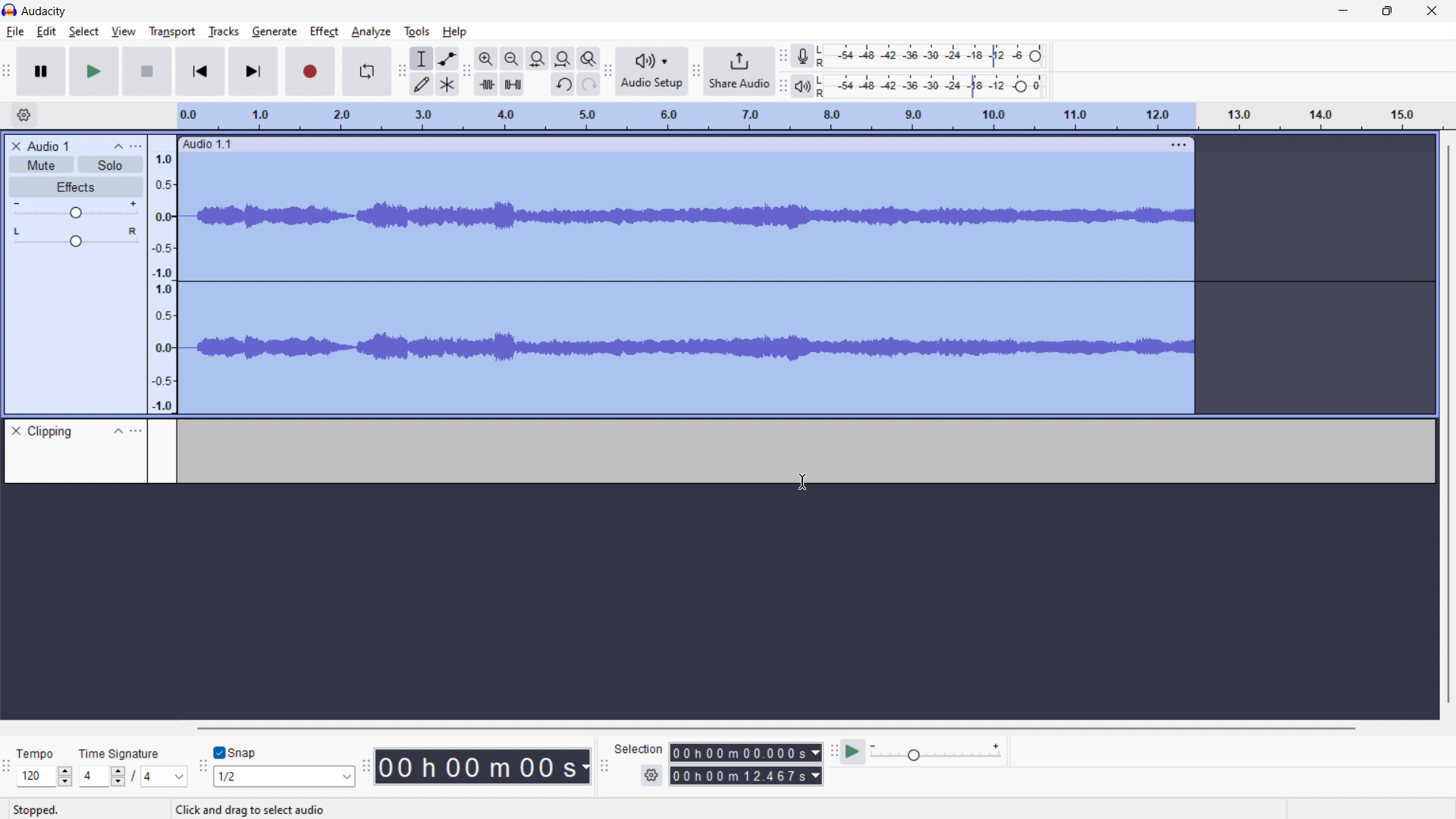 Image resolution: width=1456 pixels, height=819 pixels. I want to click on help, so click(456, 33).